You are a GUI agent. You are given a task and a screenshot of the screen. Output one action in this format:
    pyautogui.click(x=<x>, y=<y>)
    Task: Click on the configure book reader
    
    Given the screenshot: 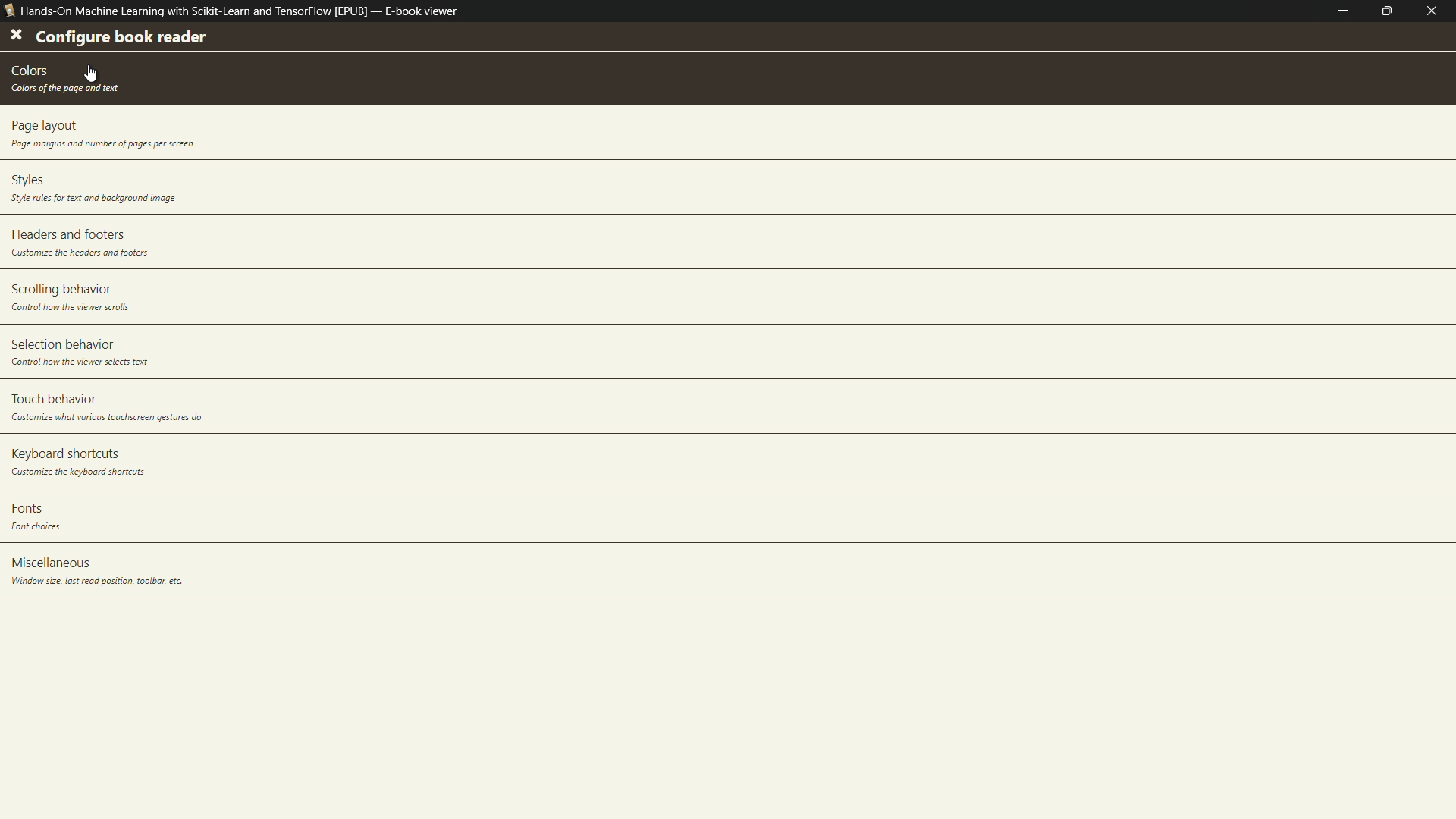 What is the action you would take?
    pyautogui.click(x=121, y=37)
    